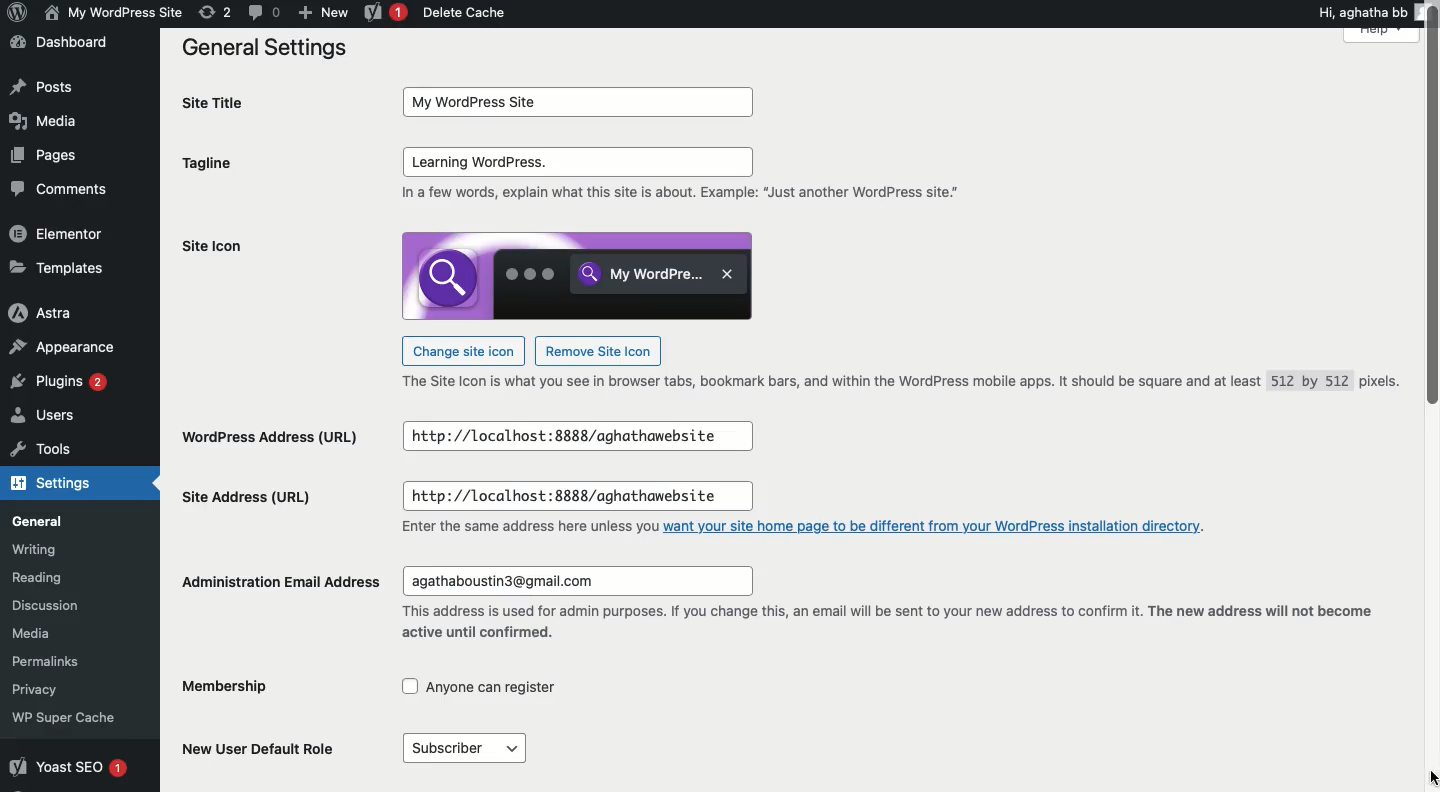  Describe the element at coordinates (58, 640) in the screenshot. I see `Media` at that location.